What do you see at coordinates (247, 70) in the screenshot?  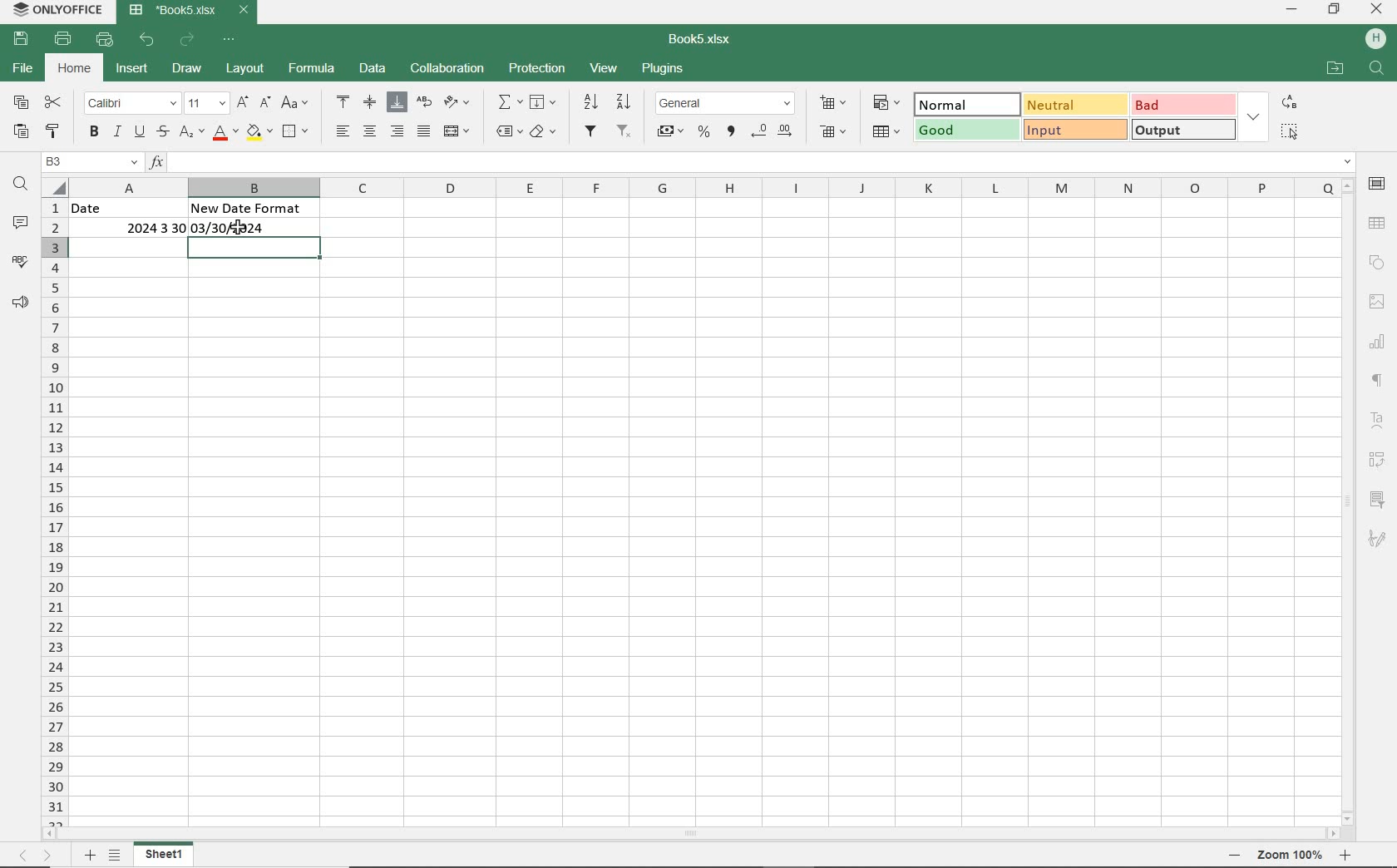 I see `LAYOUT` at bounding box center [247, 70].